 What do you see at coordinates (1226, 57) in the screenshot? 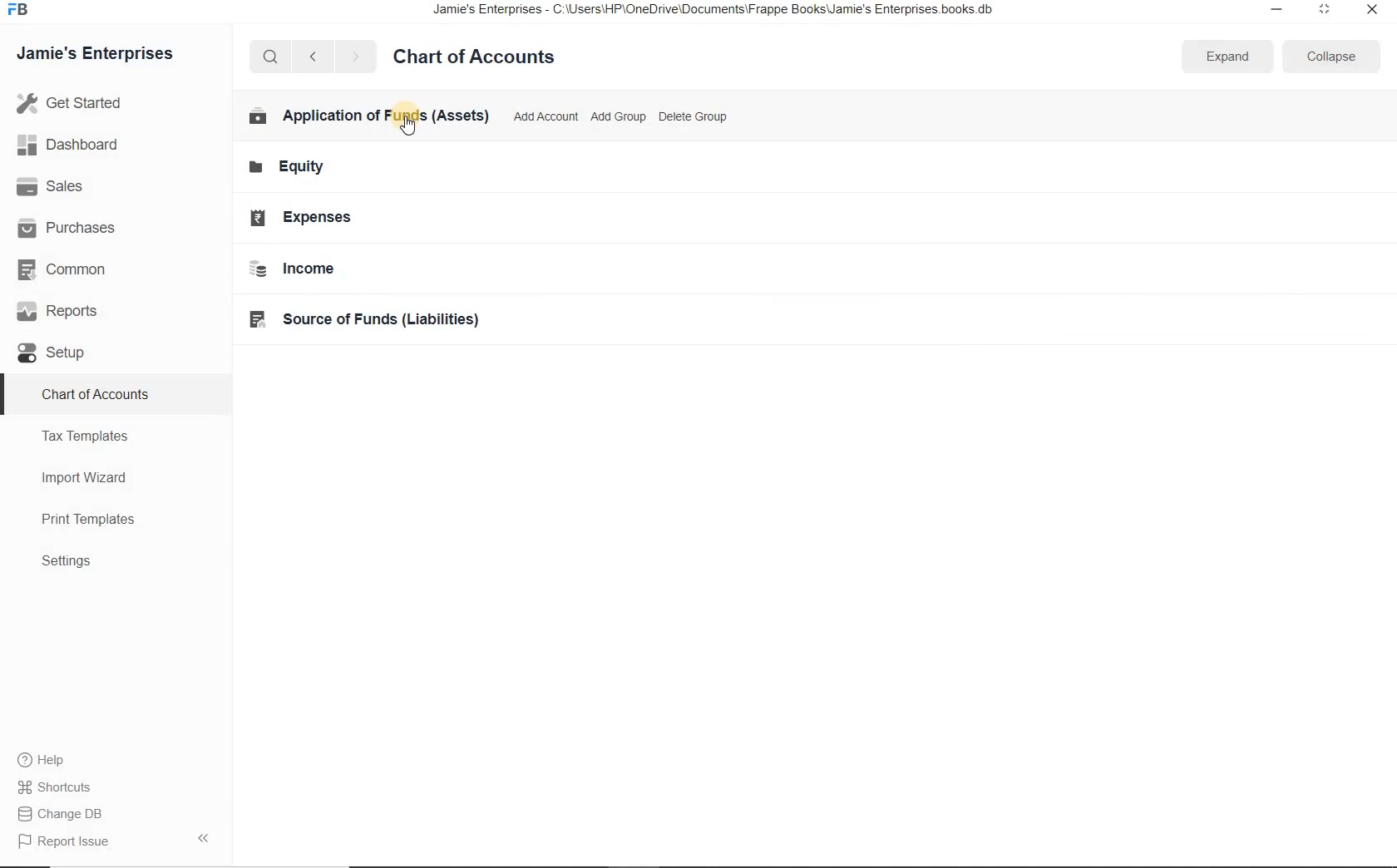
I see `expand` at bounding box center [1226, 57].